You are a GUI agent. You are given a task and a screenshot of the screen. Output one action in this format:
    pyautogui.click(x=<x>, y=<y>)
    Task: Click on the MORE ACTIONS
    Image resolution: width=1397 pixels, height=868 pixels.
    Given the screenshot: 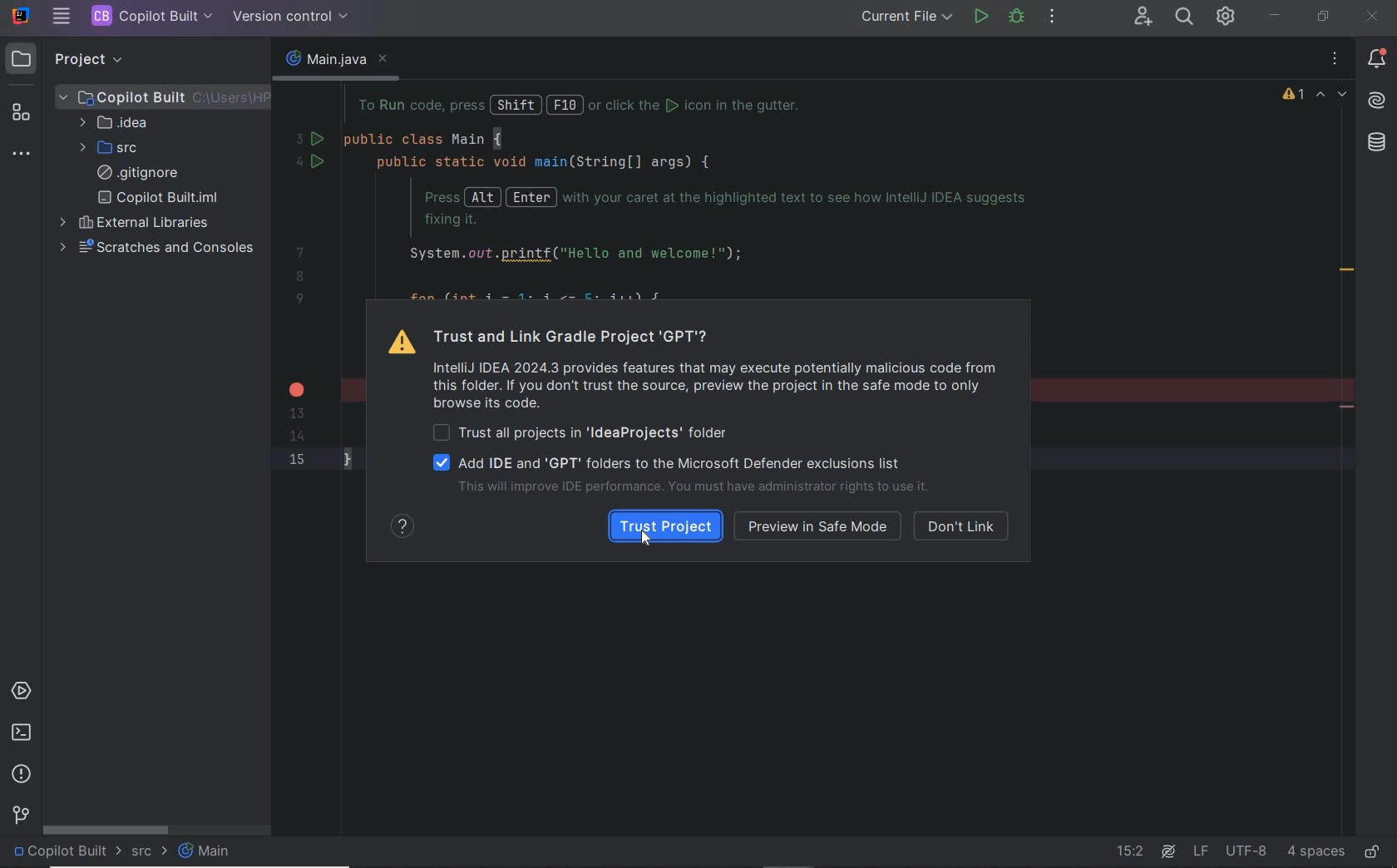 What is the action you would take?
    pyautogui.click(x=1052, y=18)
    